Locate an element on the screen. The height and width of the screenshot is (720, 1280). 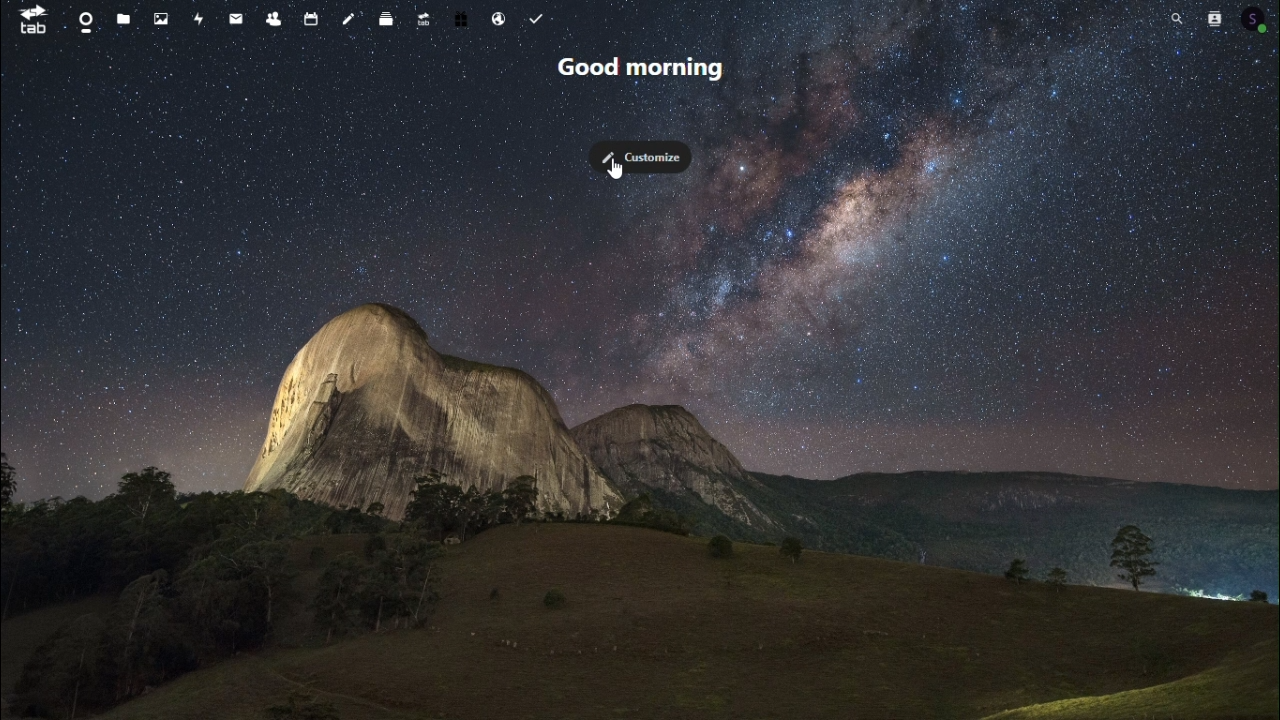
Good morning is located at coordinates (645, 71).